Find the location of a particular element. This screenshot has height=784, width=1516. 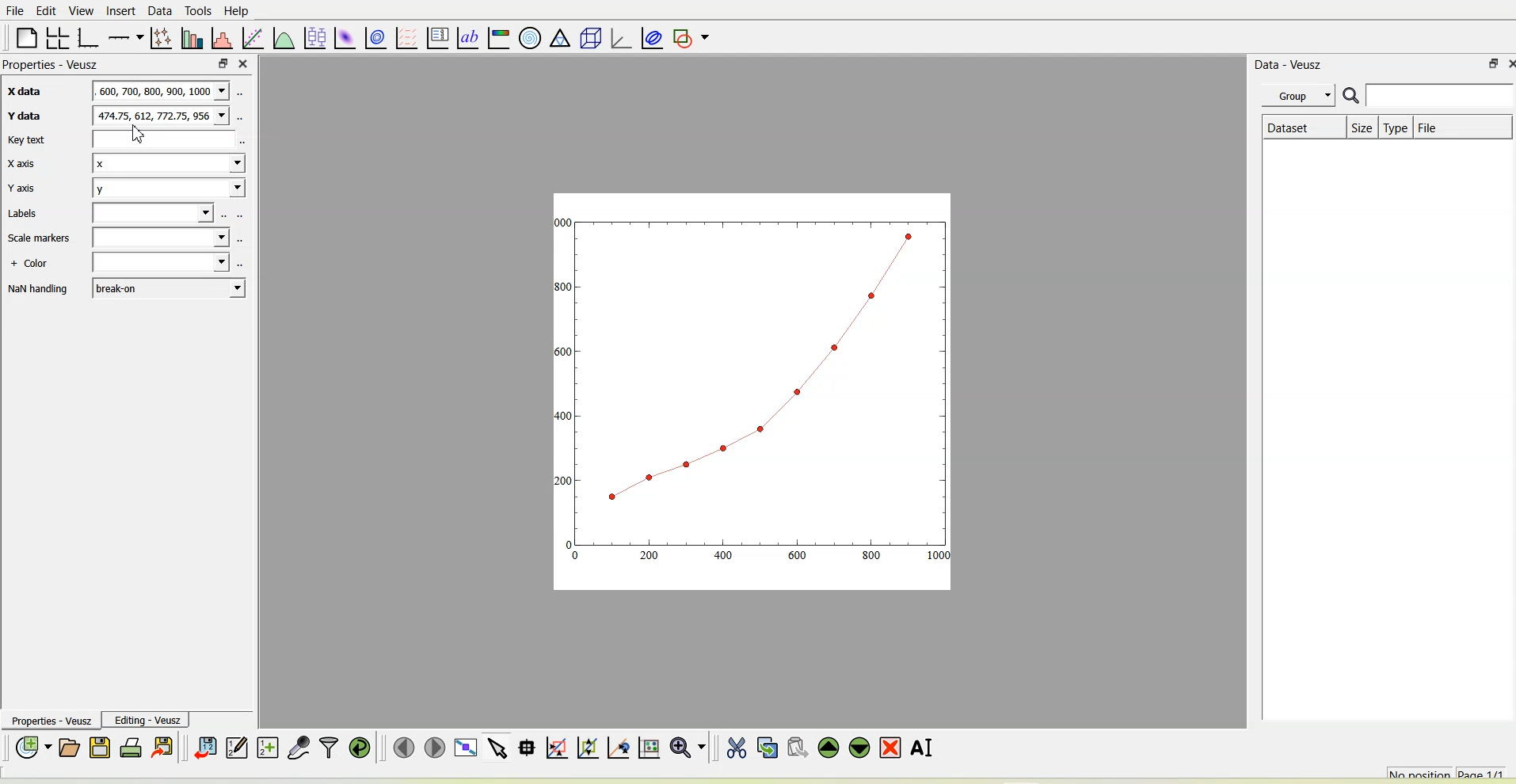

Plot a function is located at coordinates (284, 38).